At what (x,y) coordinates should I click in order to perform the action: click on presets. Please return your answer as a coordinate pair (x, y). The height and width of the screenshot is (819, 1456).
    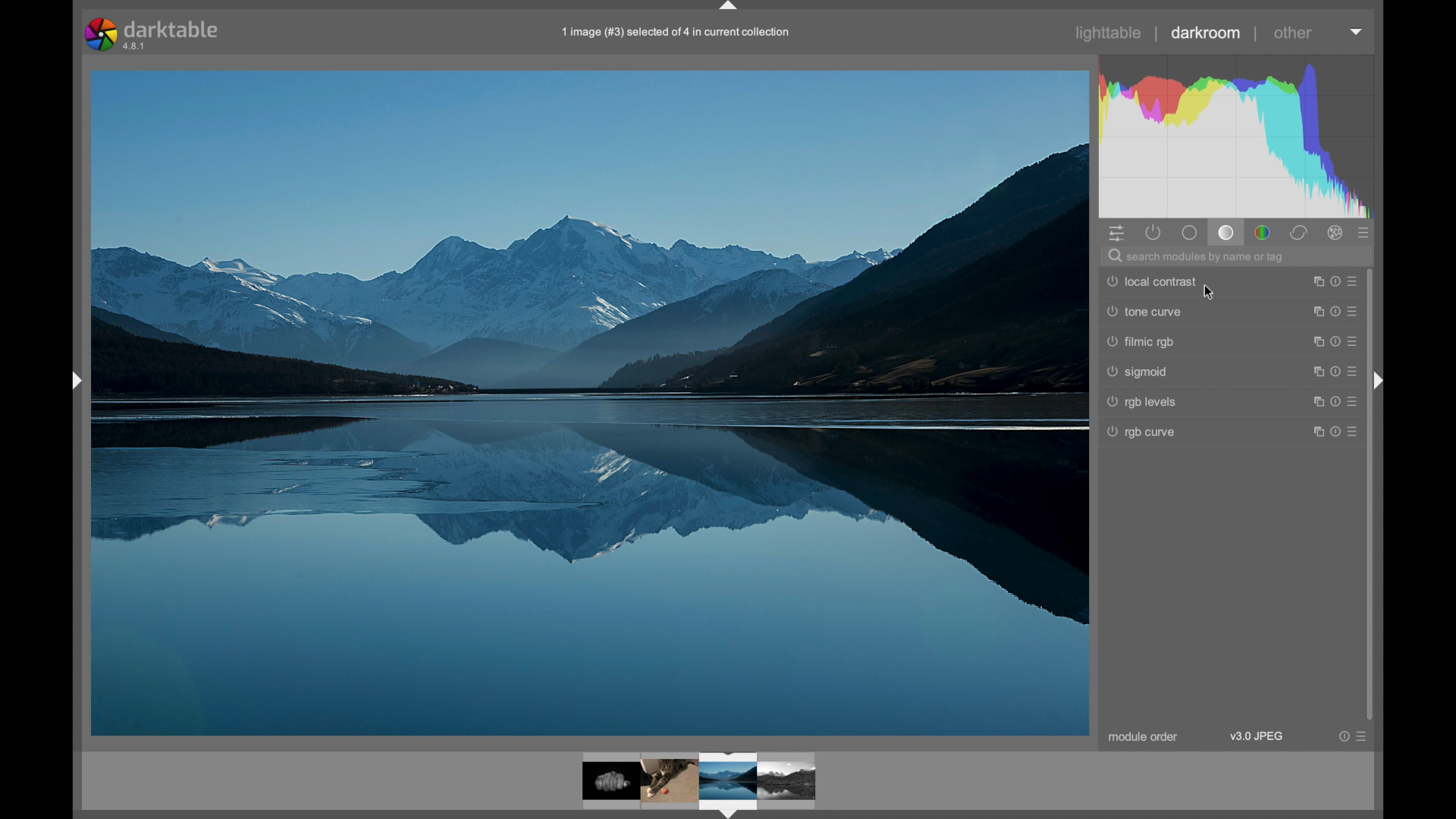
    Looking at the image, I should click on (1367, 234).